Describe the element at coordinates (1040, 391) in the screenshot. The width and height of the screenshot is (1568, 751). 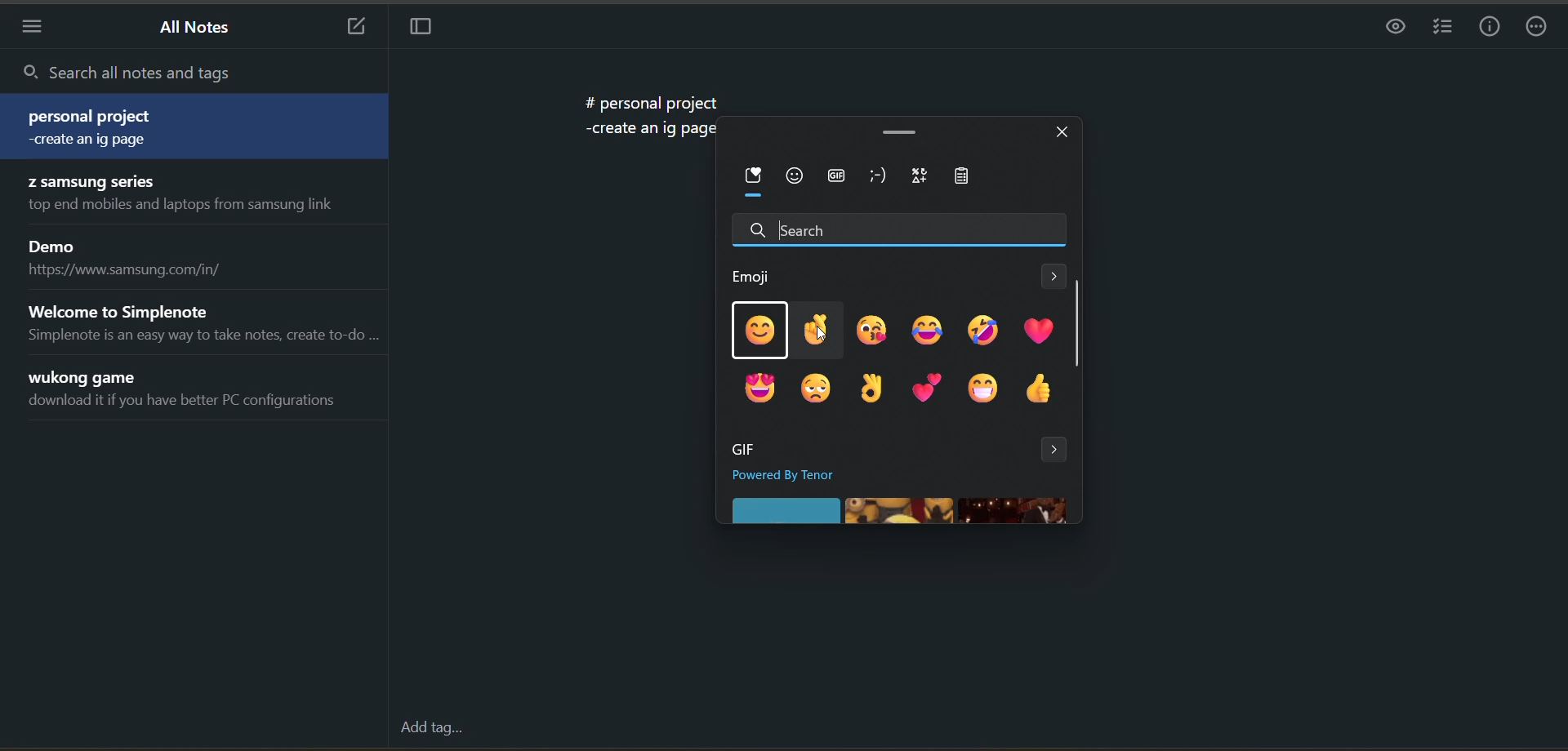
I see `emoji 12` at that location.